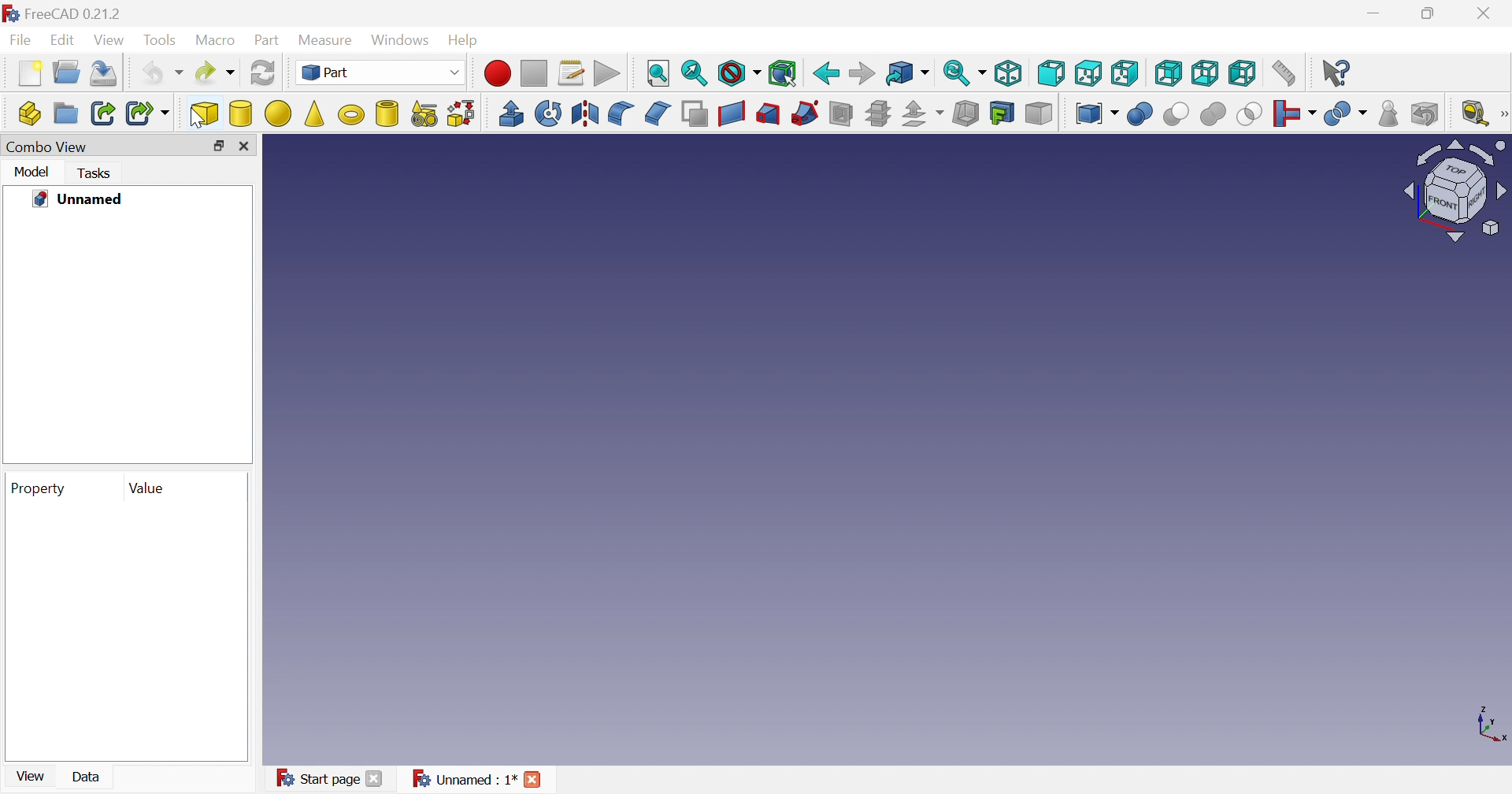  I want to click on Create tube, so click(386, 113).